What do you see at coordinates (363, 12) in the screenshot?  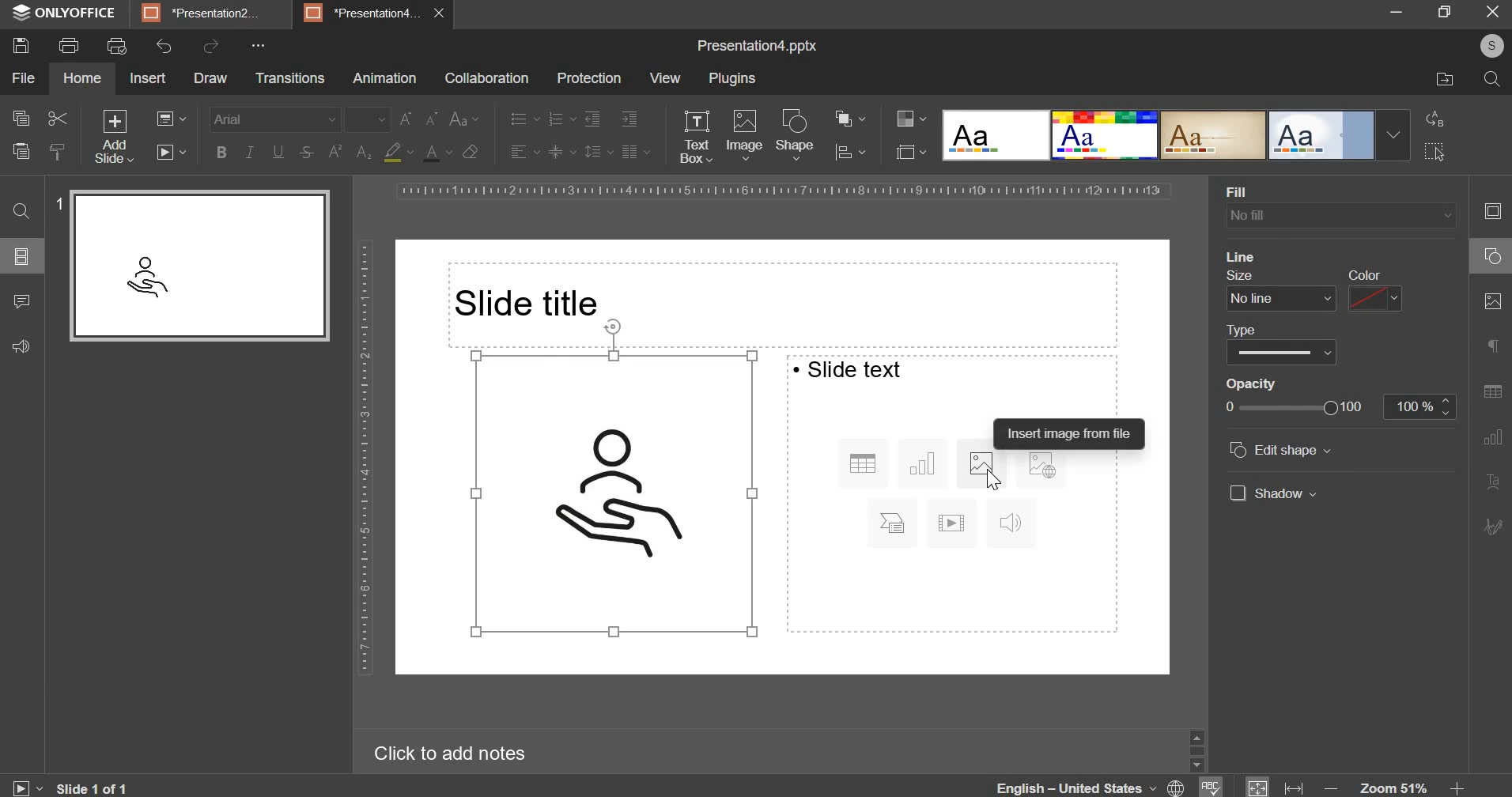 I see `presentation4...` at bounding box center [363, 12].